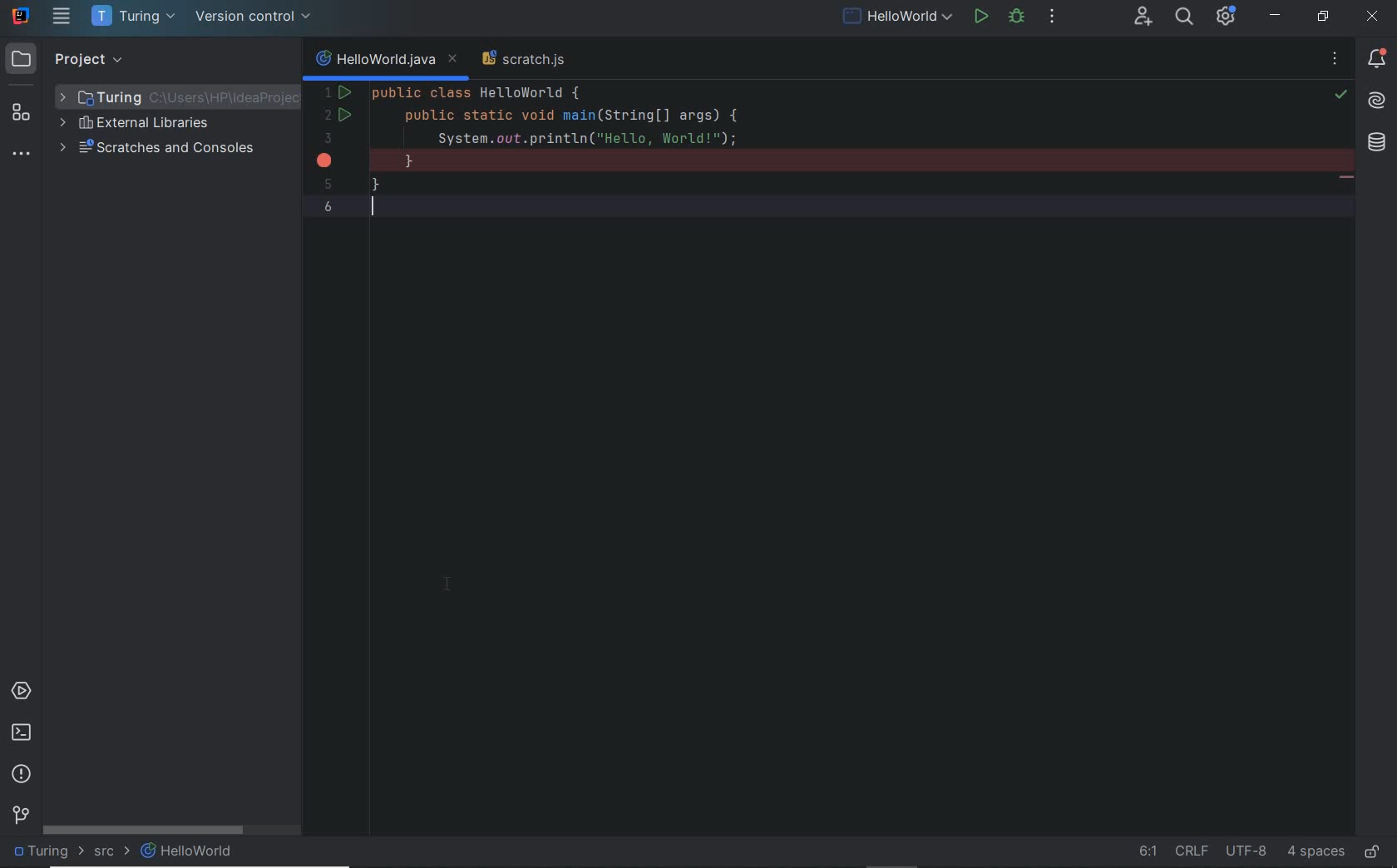 This screenshot has height=868, width=1397. Describe the element at coordinates (1182, 16) in the screenshot. I see `search everywhere` at that location.